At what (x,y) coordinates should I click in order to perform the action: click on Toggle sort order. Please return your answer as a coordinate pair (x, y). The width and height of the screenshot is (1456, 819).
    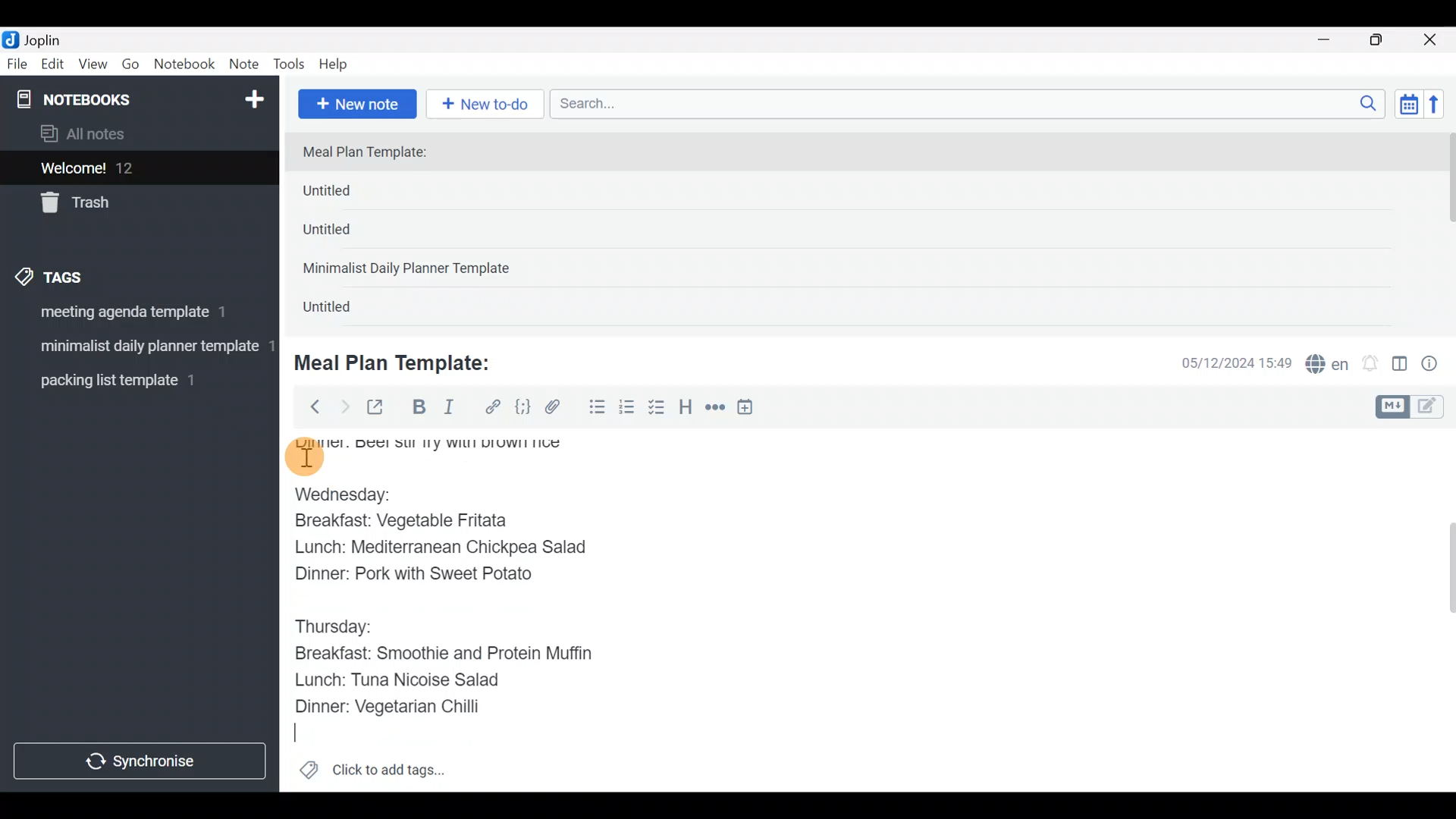
    Looking at the image, I should click on (1408, 105).